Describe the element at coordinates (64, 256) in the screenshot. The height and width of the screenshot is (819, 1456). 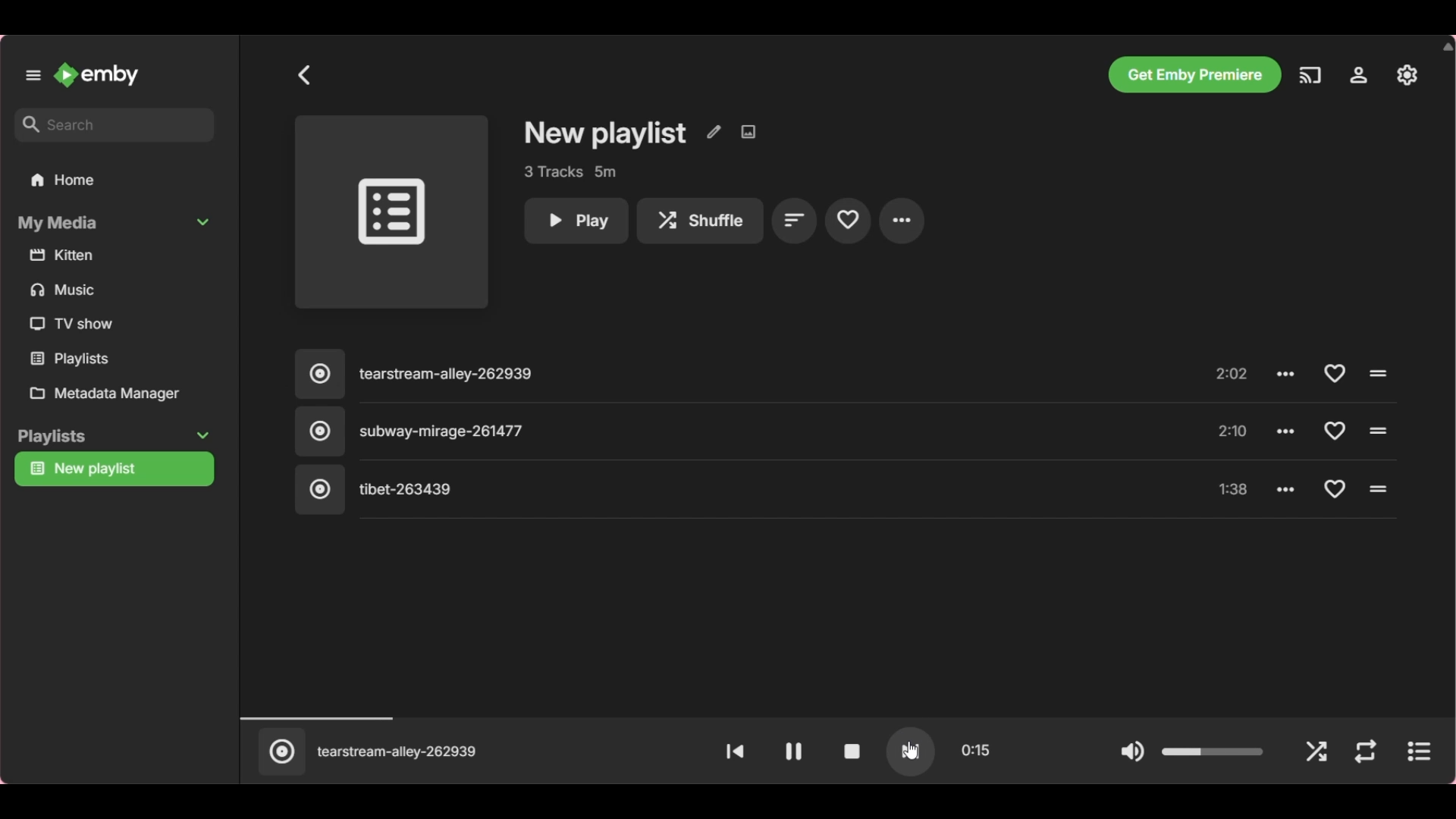
I see `kitten` at that location.